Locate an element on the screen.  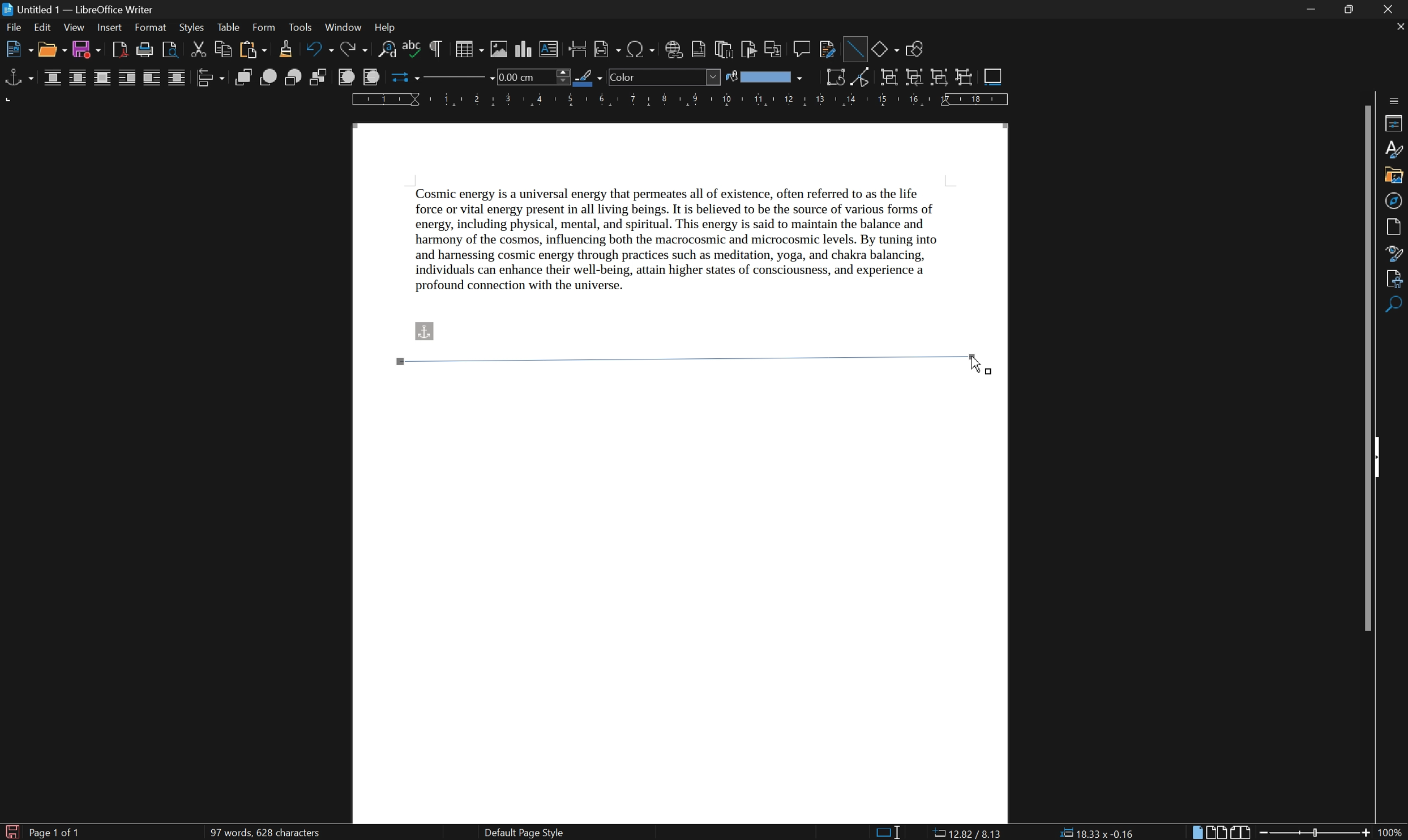
select anchor for object is located at coordinates (17, 78).